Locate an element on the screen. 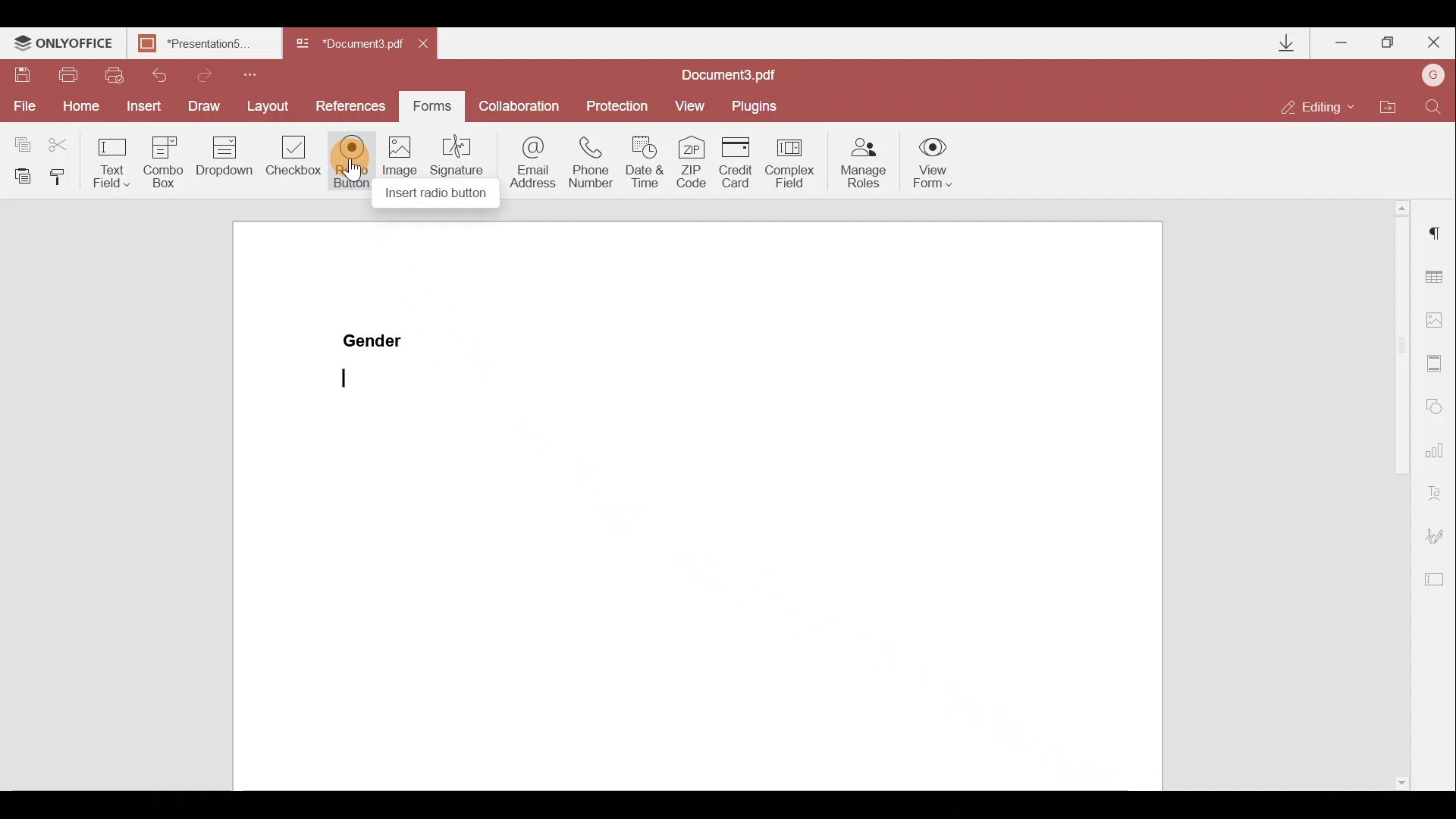  Account name is located at coordinates (1433, 75).